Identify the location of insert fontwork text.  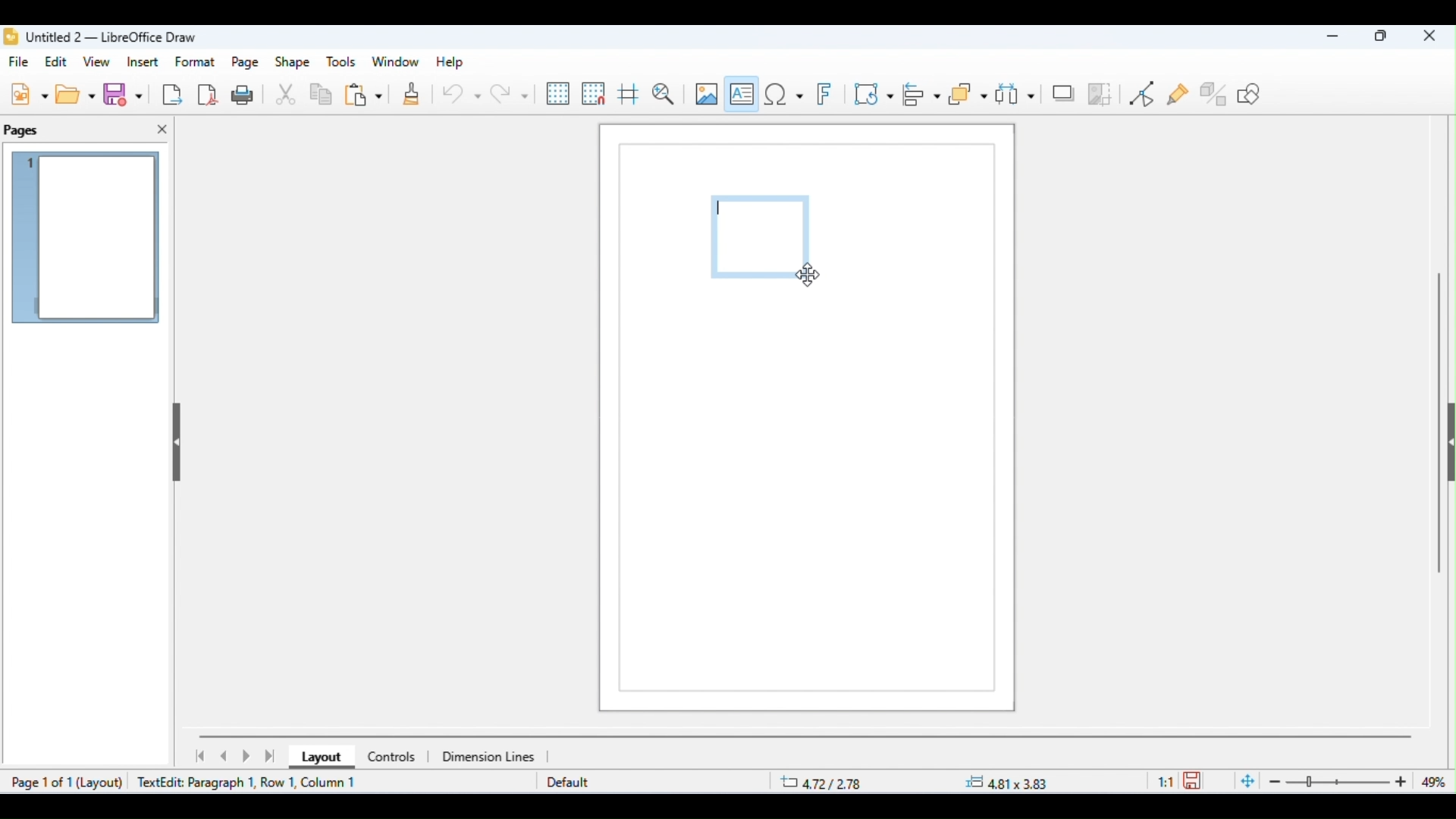
(827, 95).